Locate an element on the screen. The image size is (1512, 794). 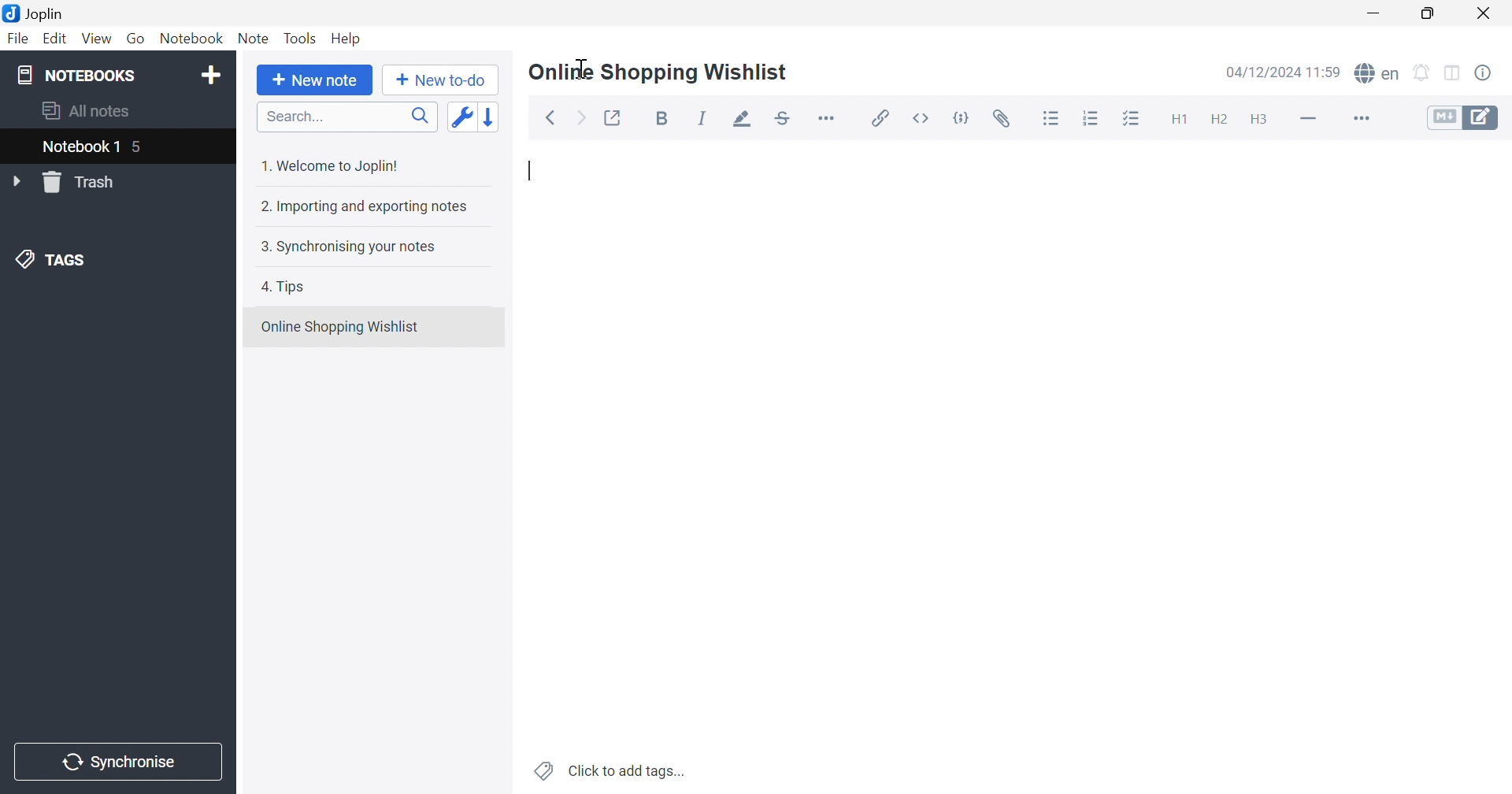
New to-do is located at coordinates (441, 80).